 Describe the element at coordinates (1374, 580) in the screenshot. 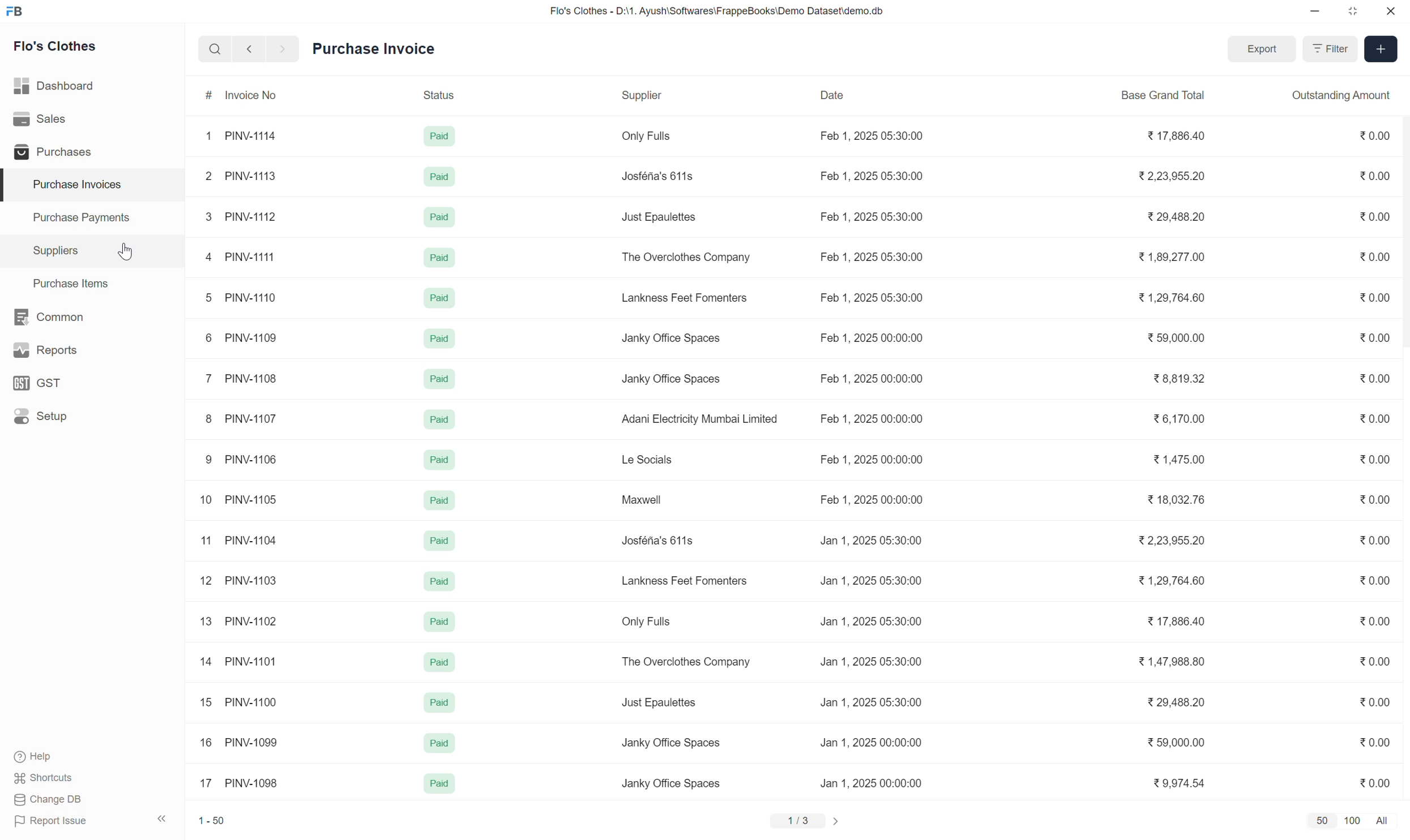

I see `0.00` at that location.